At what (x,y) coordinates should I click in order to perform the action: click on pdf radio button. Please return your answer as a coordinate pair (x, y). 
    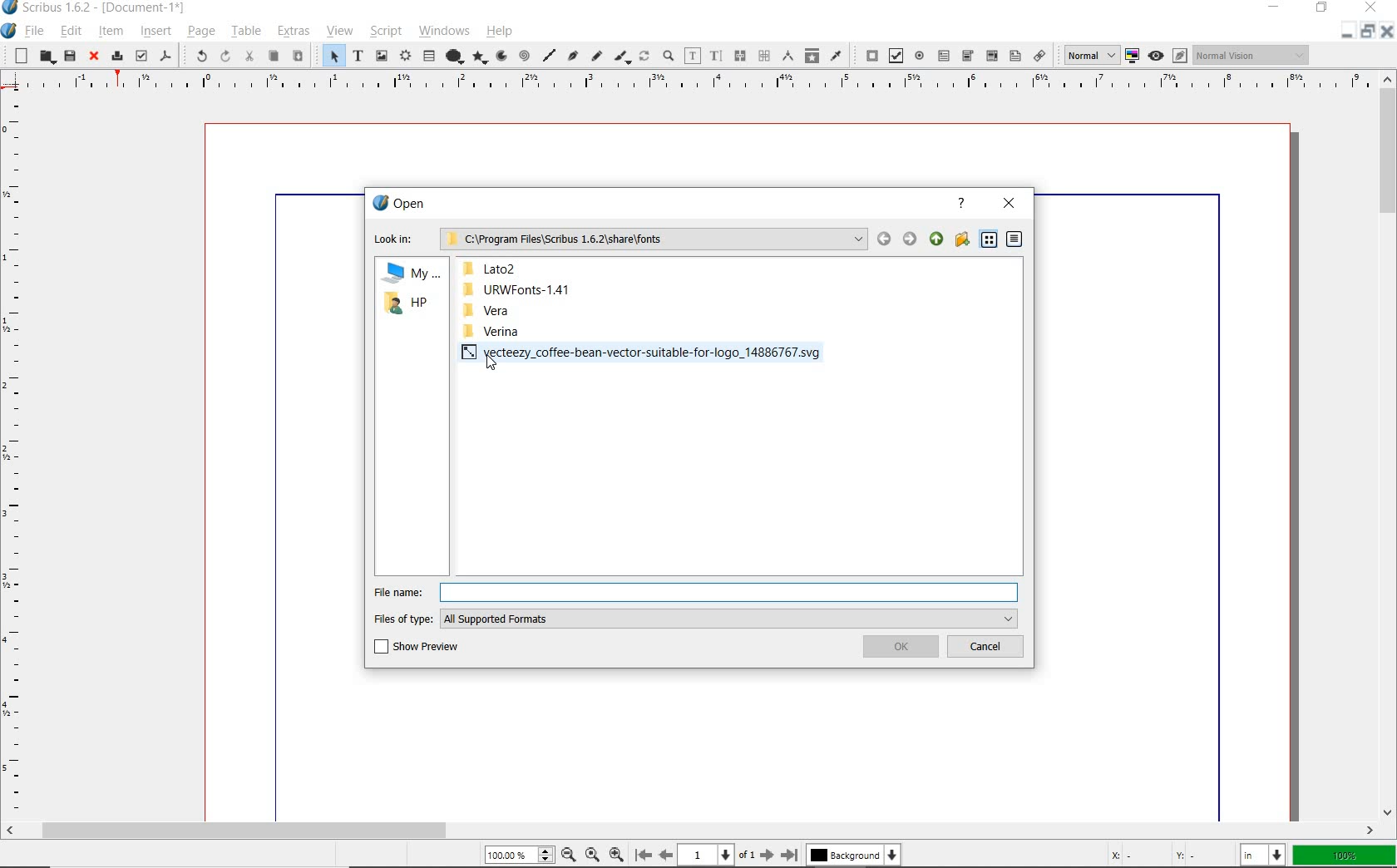
    Looking at the image, I should click on (920, 55).